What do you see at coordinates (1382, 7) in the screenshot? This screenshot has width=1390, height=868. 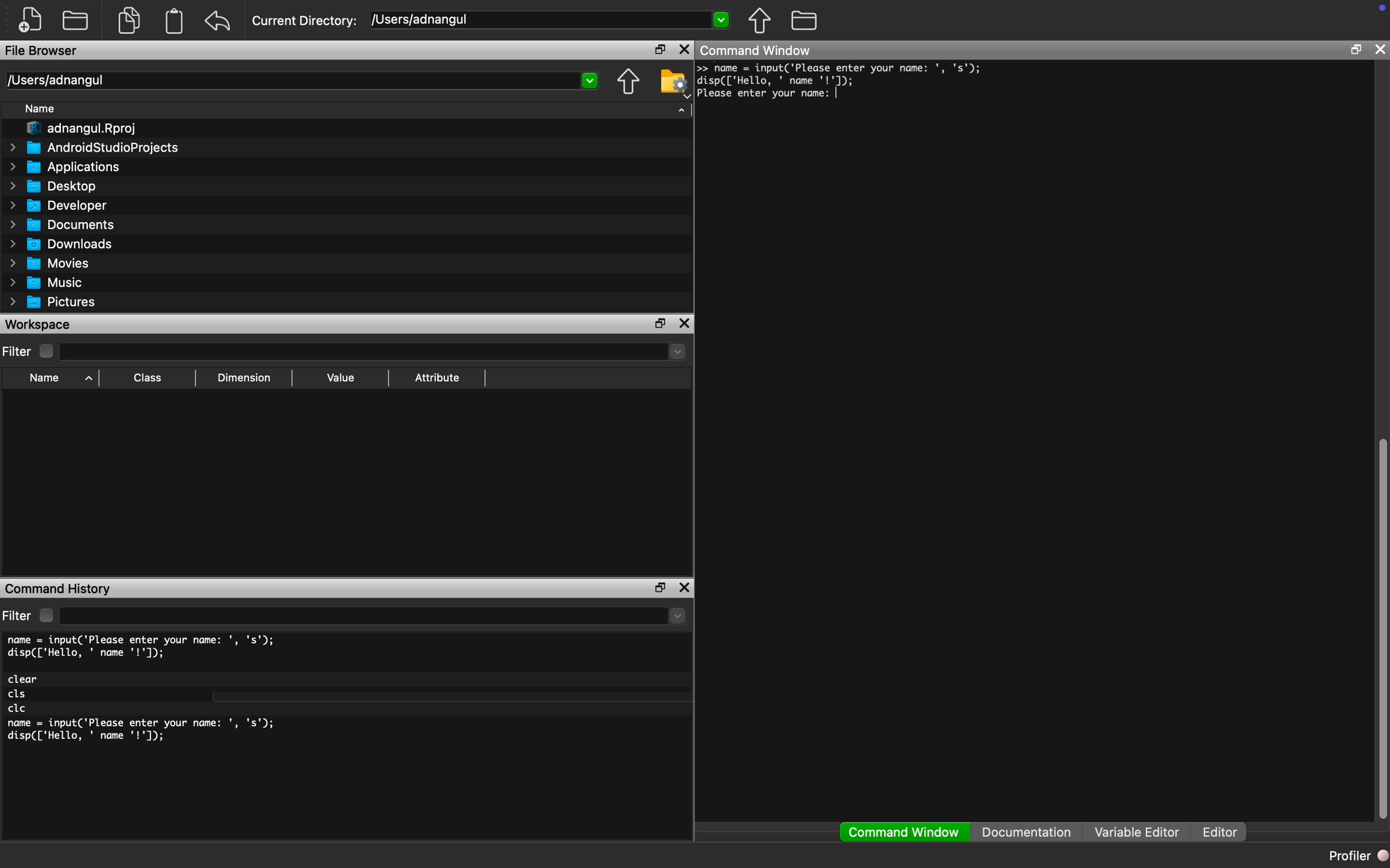 I see `icon` at bounding box center [1382, 7].